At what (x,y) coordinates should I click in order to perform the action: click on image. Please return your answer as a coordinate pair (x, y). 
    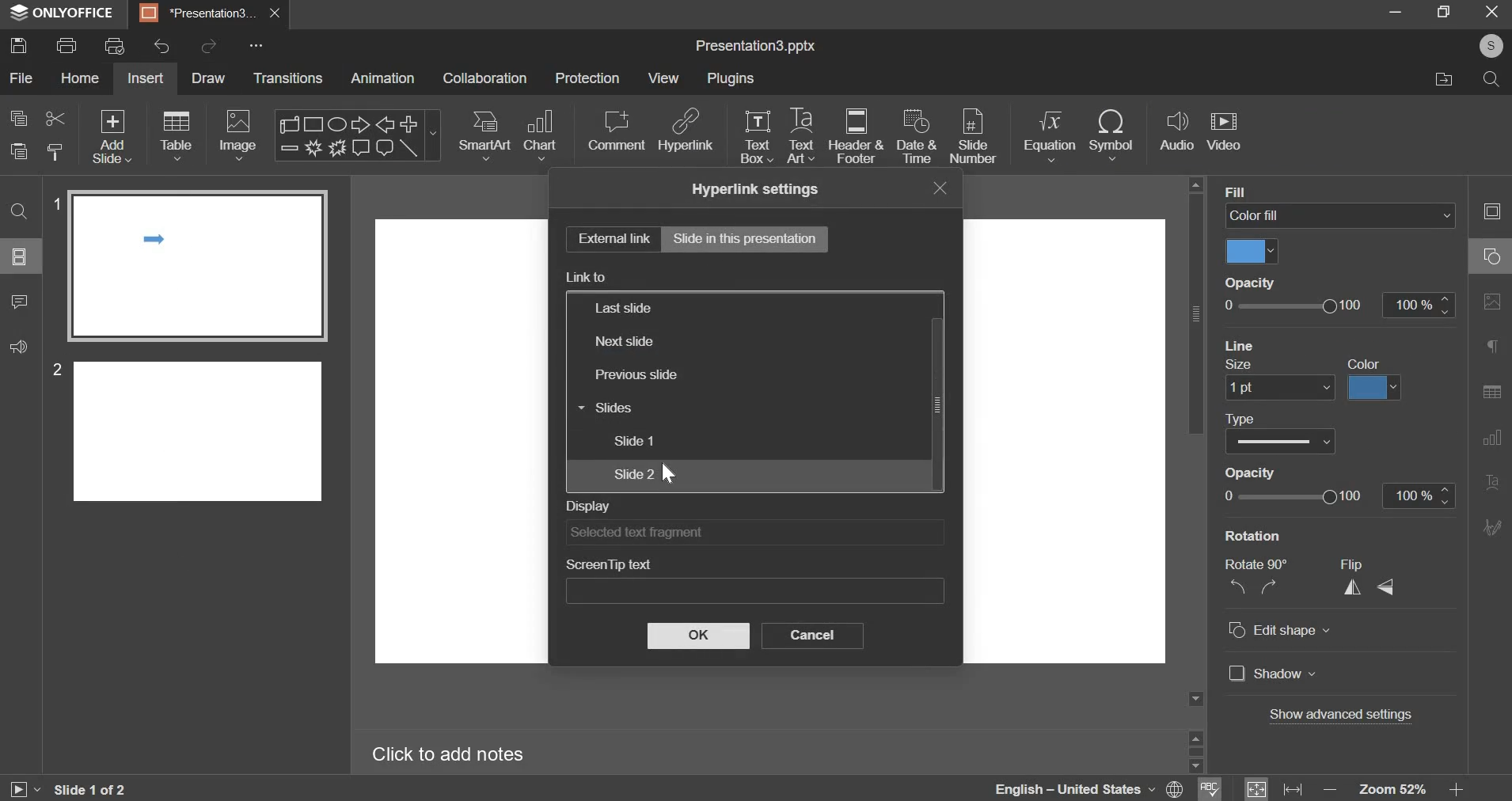
    Looking at the image, I should click on (237, 135).